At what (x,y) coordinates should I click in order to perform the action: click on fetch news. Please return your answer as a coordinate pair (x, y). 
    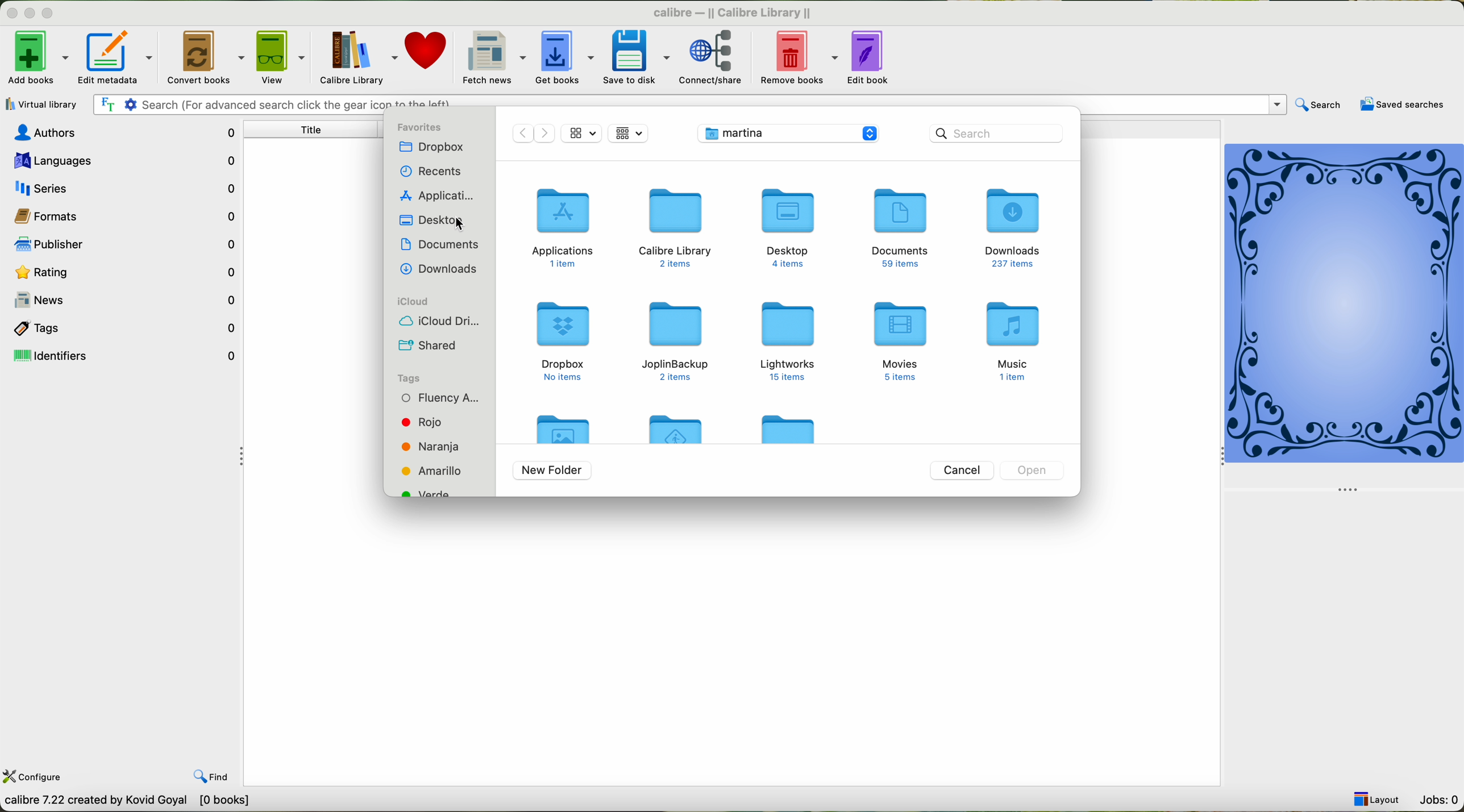
    Looking at the image, I should click on (492, 57).